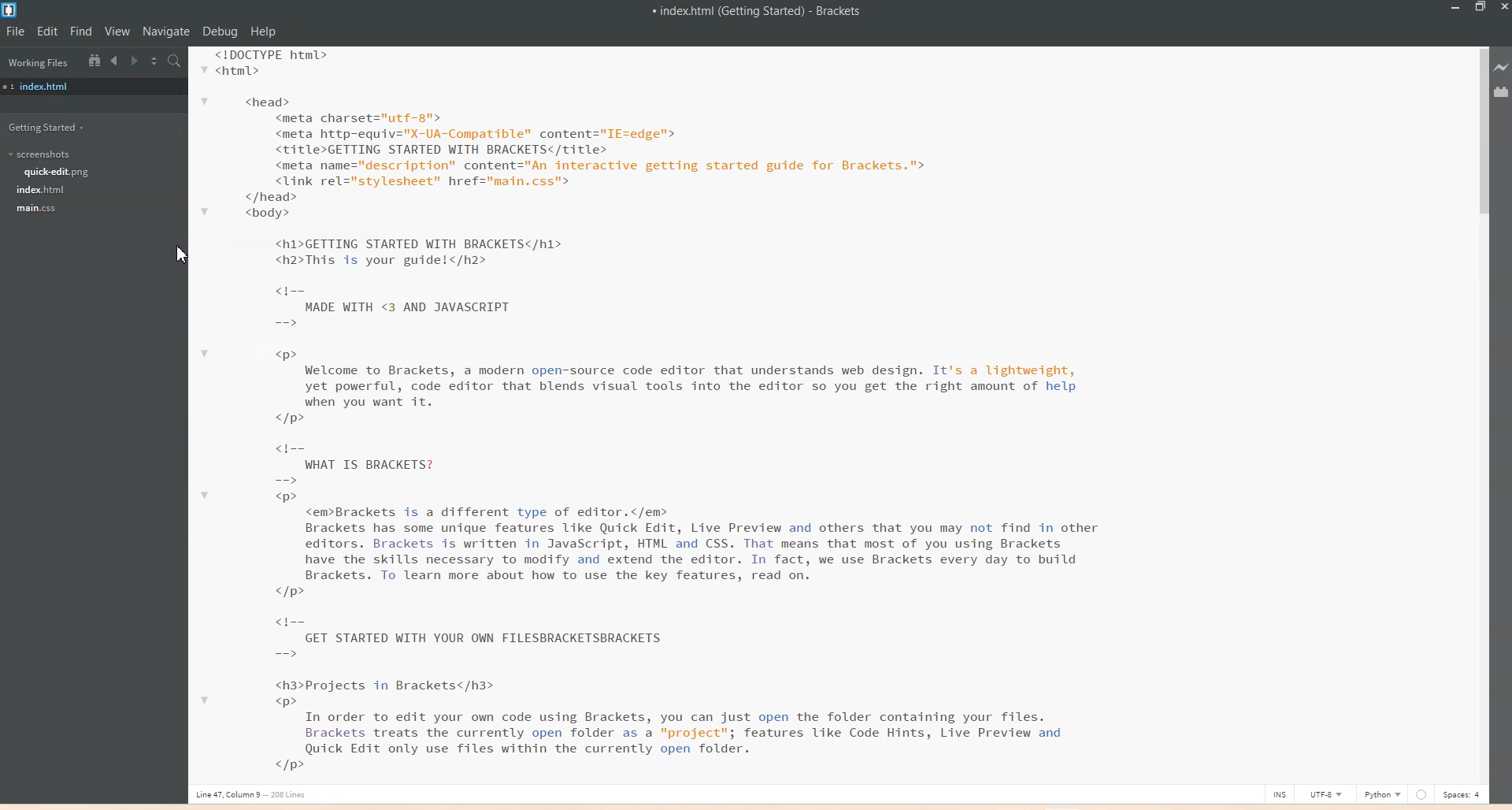 The image size is (1512, 810). Describe the element at coordinates (1462, 793) in the screenshot. I see `Space` at that location.